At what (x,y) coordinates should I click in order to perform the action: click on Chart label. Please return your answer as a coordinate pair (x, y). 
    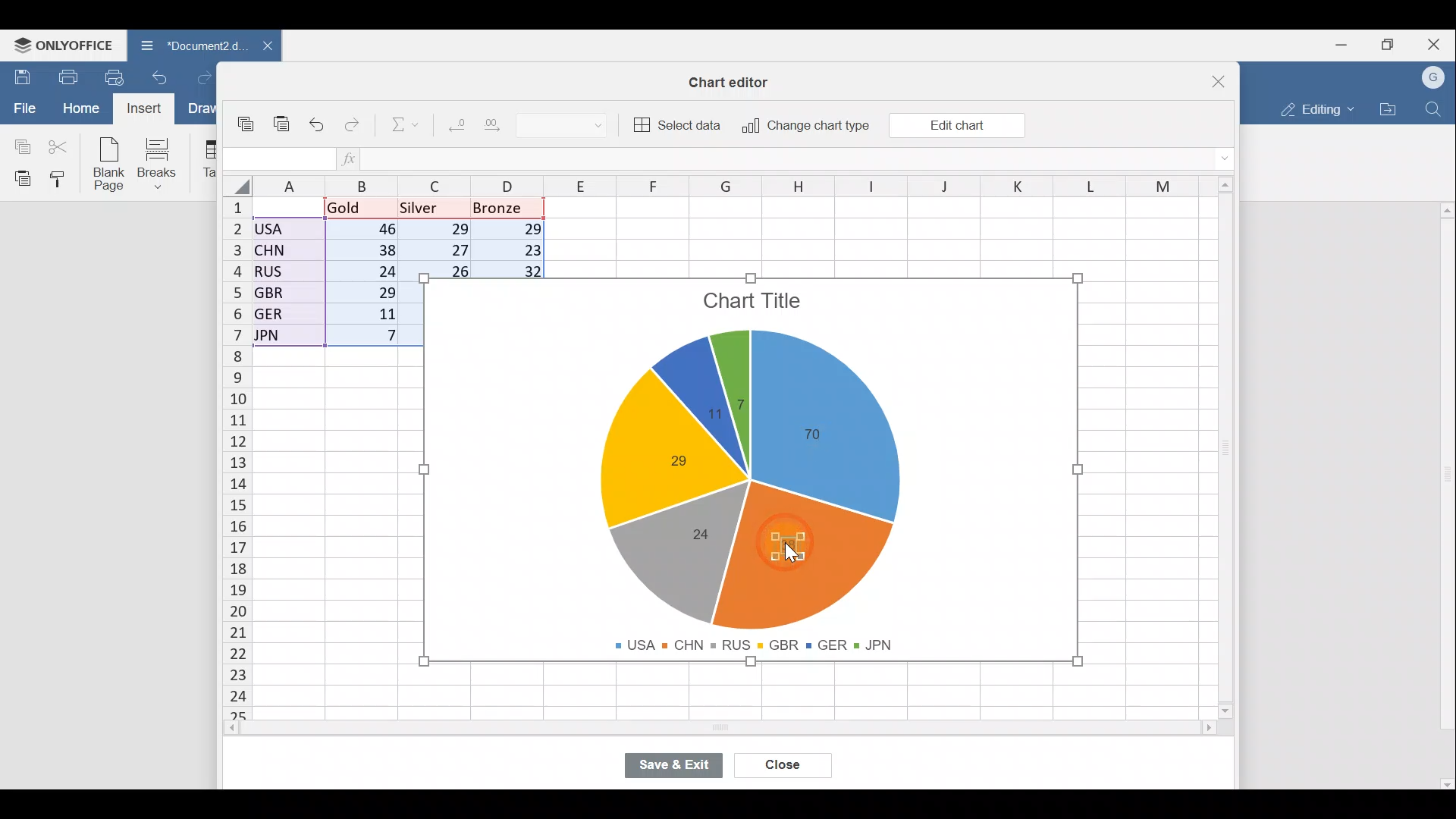
    Looking at the image, I should click on (825, 438).